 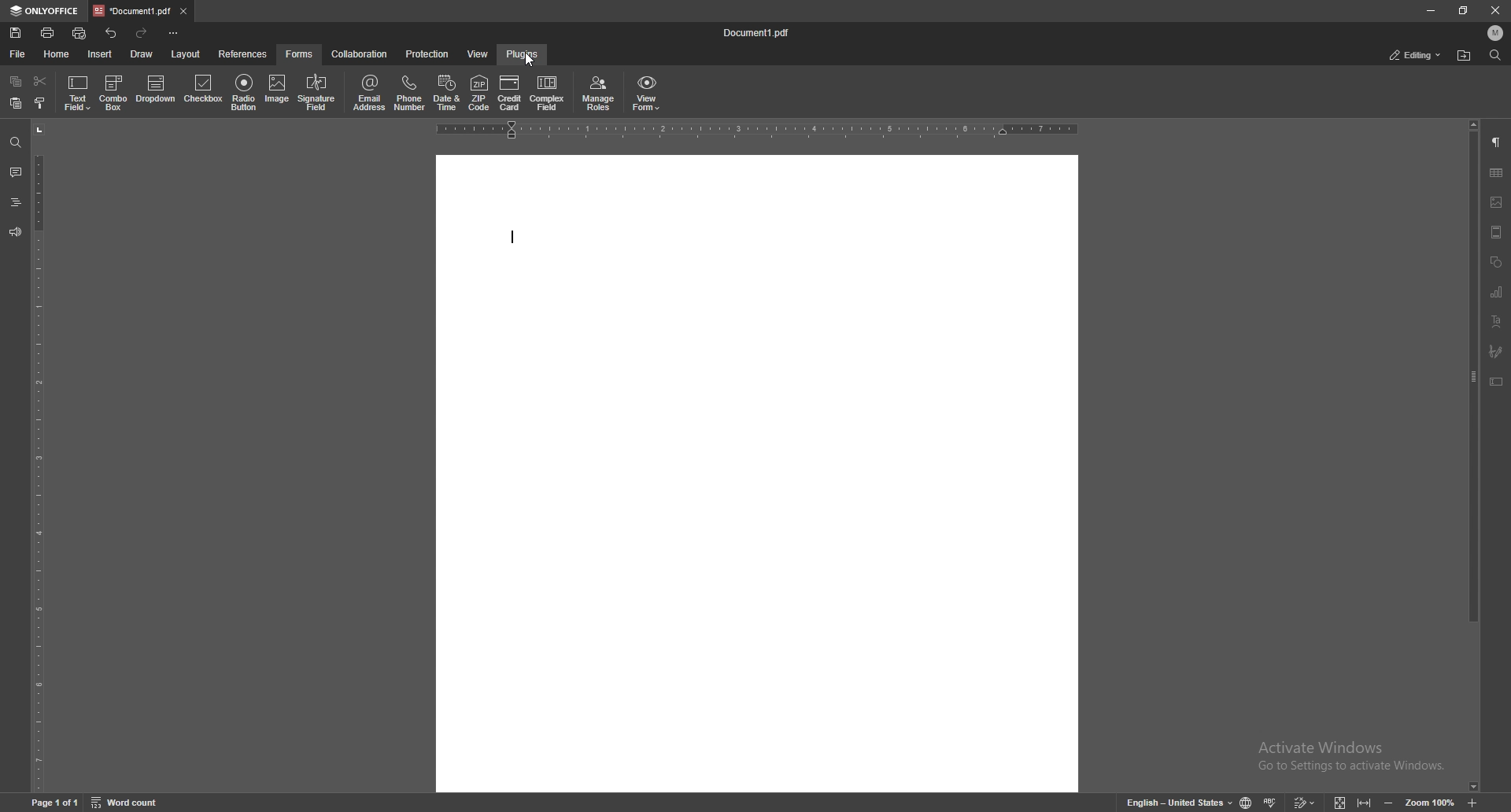 What do you see at coordinates (1496, 173) in the screenshot?
I see `table` at bounding box center [1496, 173].